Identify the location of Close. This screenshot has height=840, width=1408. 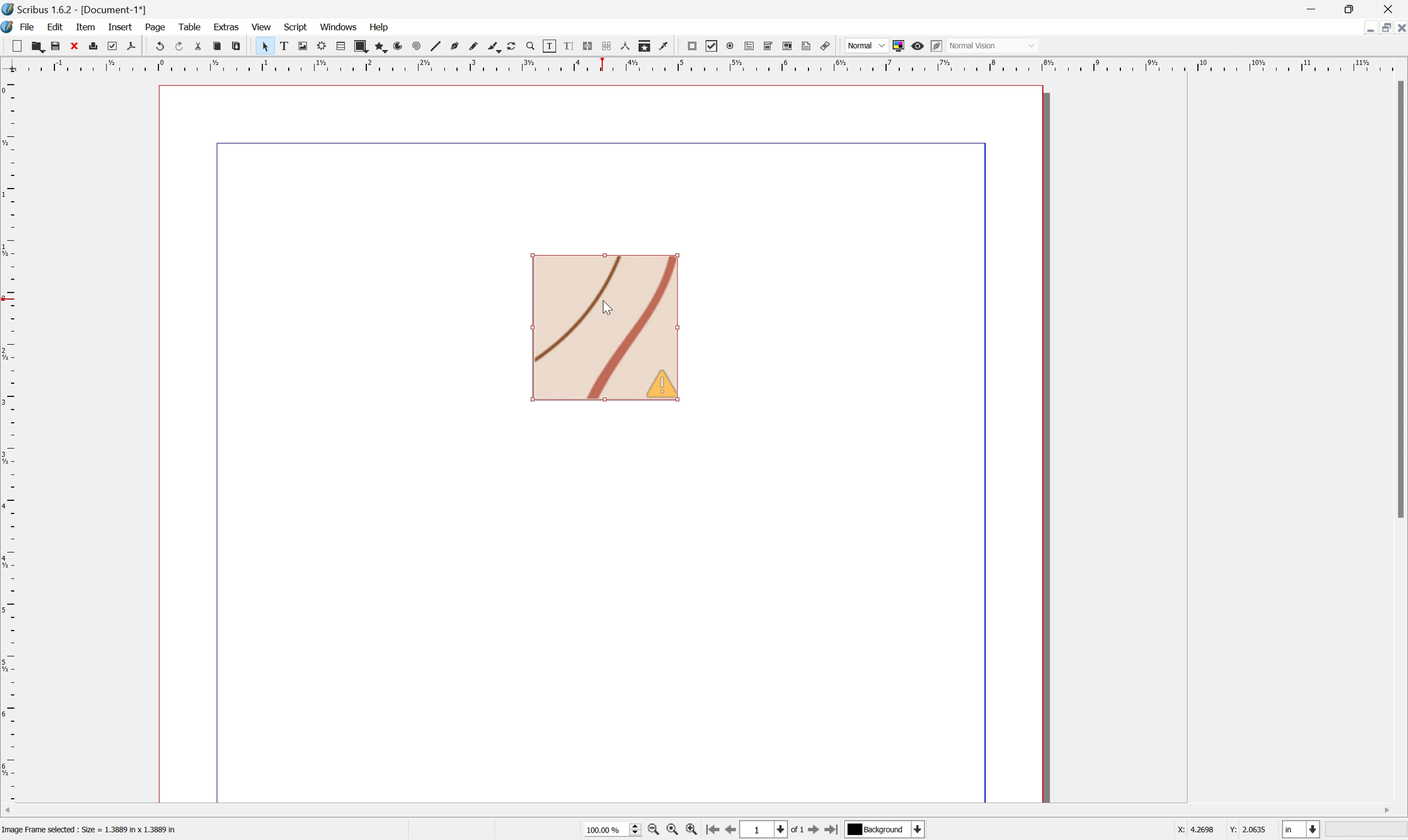
(76, 46).